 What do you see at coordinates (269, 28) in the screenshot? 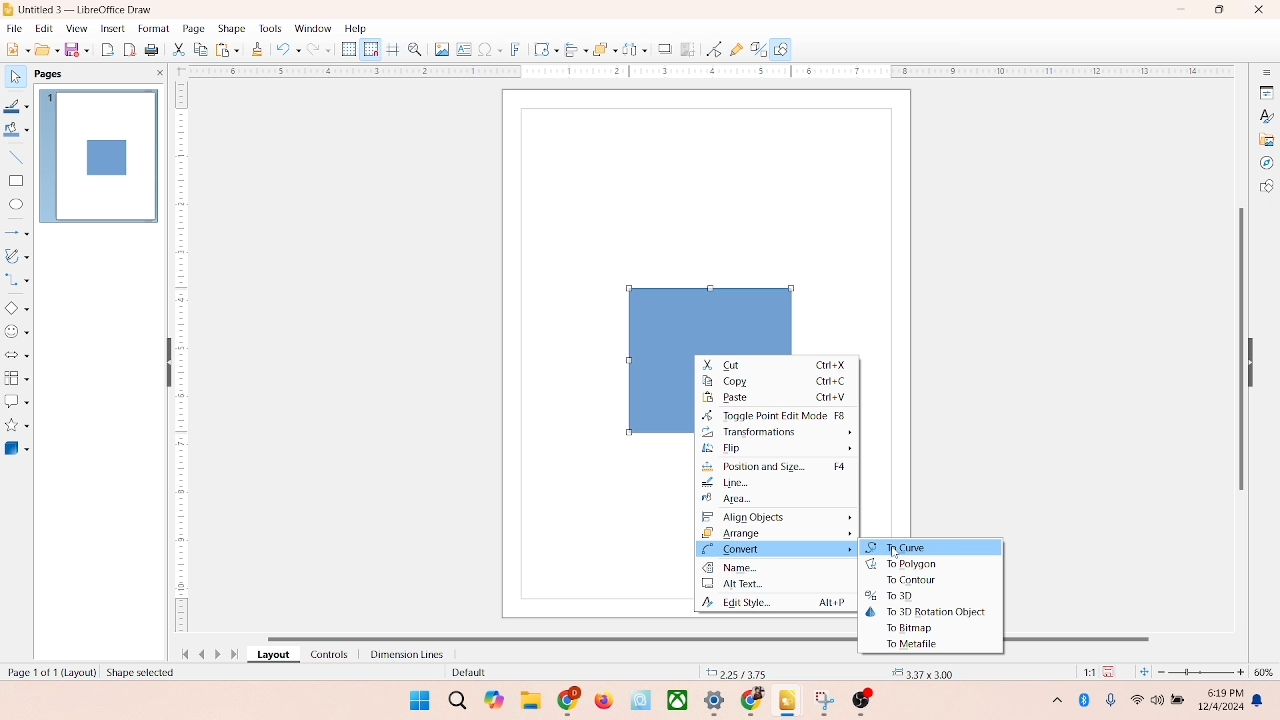
I see `tools` at bounding box center [269, 28].